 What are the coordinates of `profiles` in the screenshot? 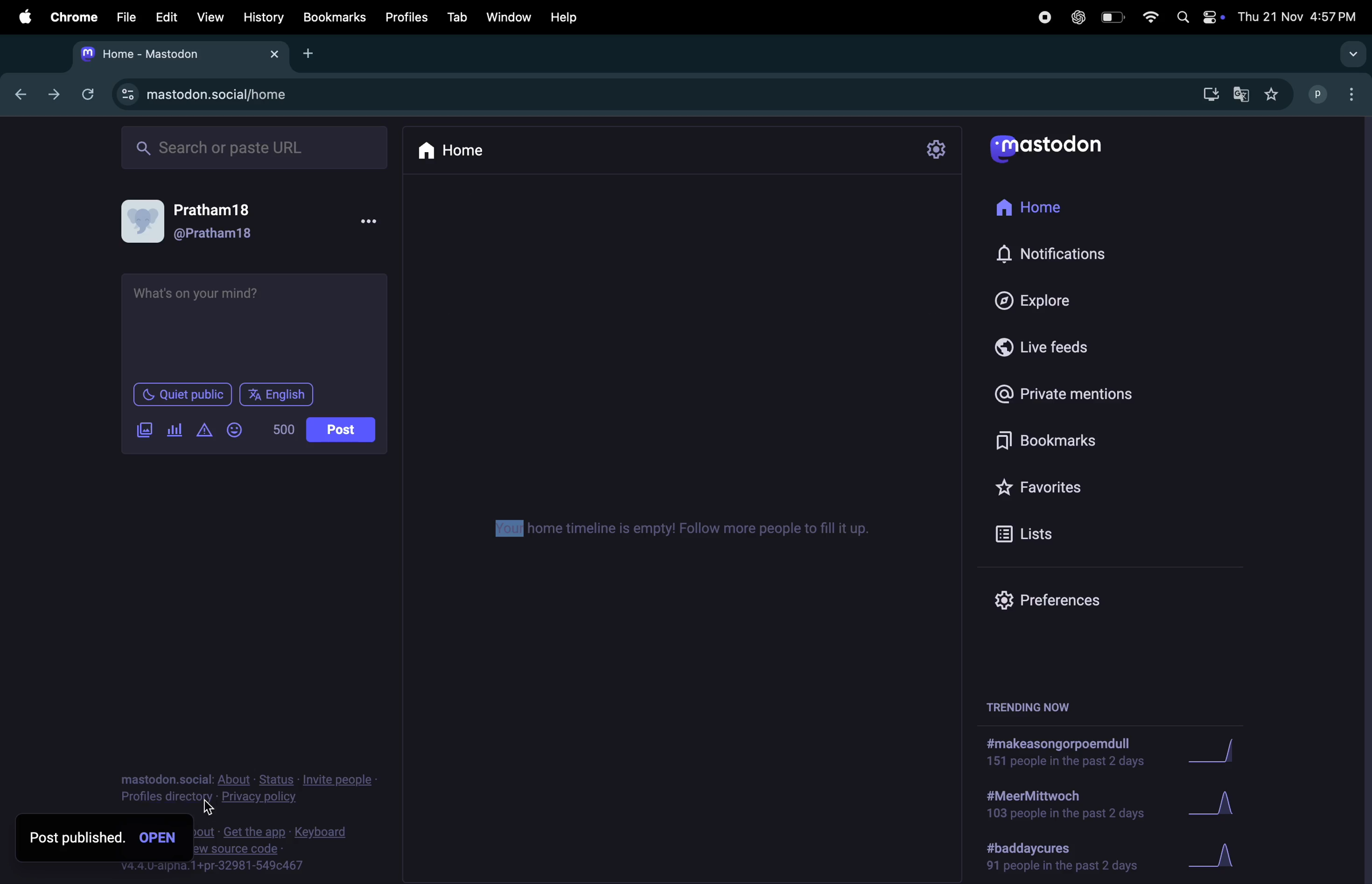 It's located at (404, 17).